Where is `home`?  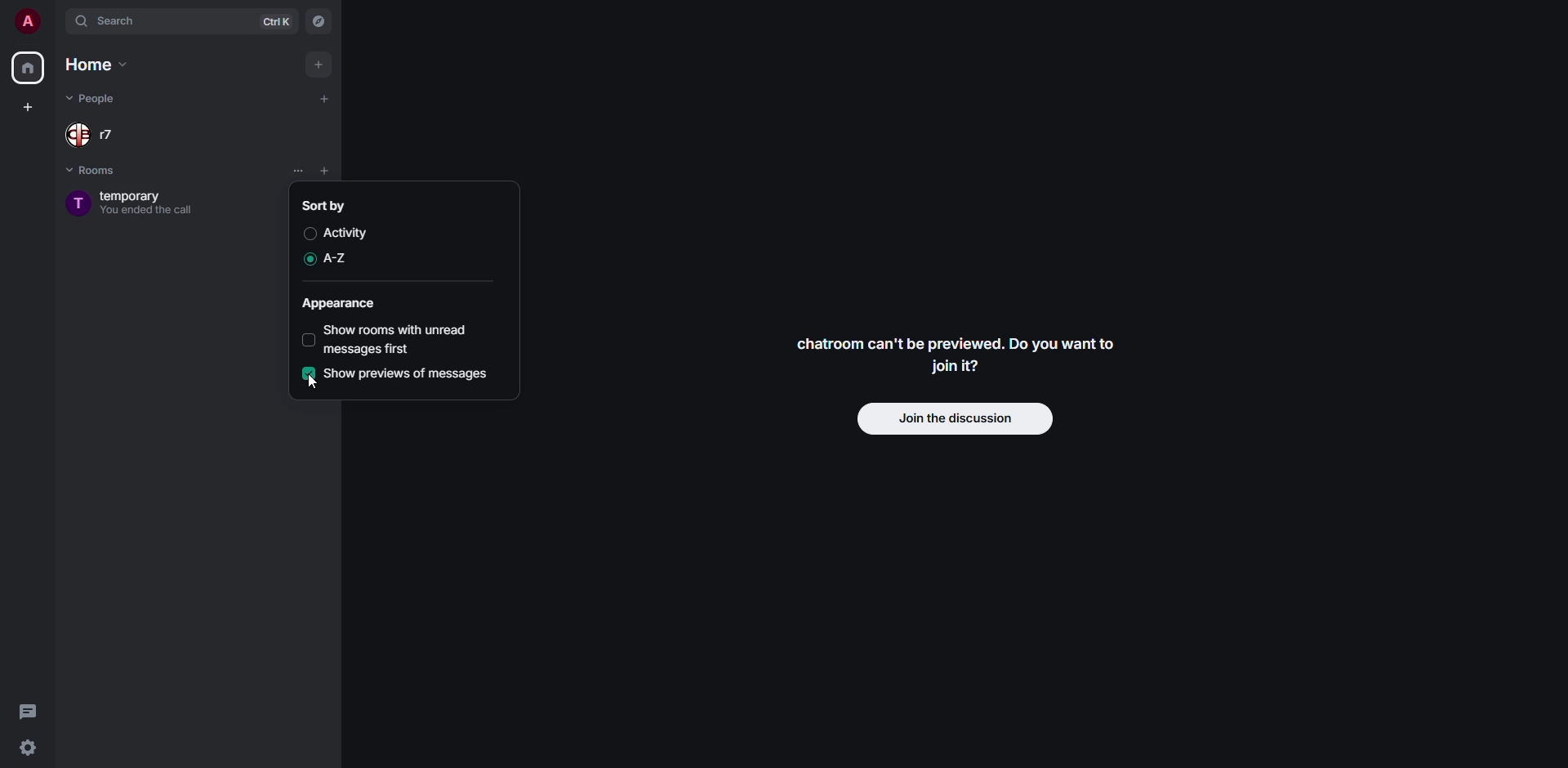 home is located at coordinates (27, 69).